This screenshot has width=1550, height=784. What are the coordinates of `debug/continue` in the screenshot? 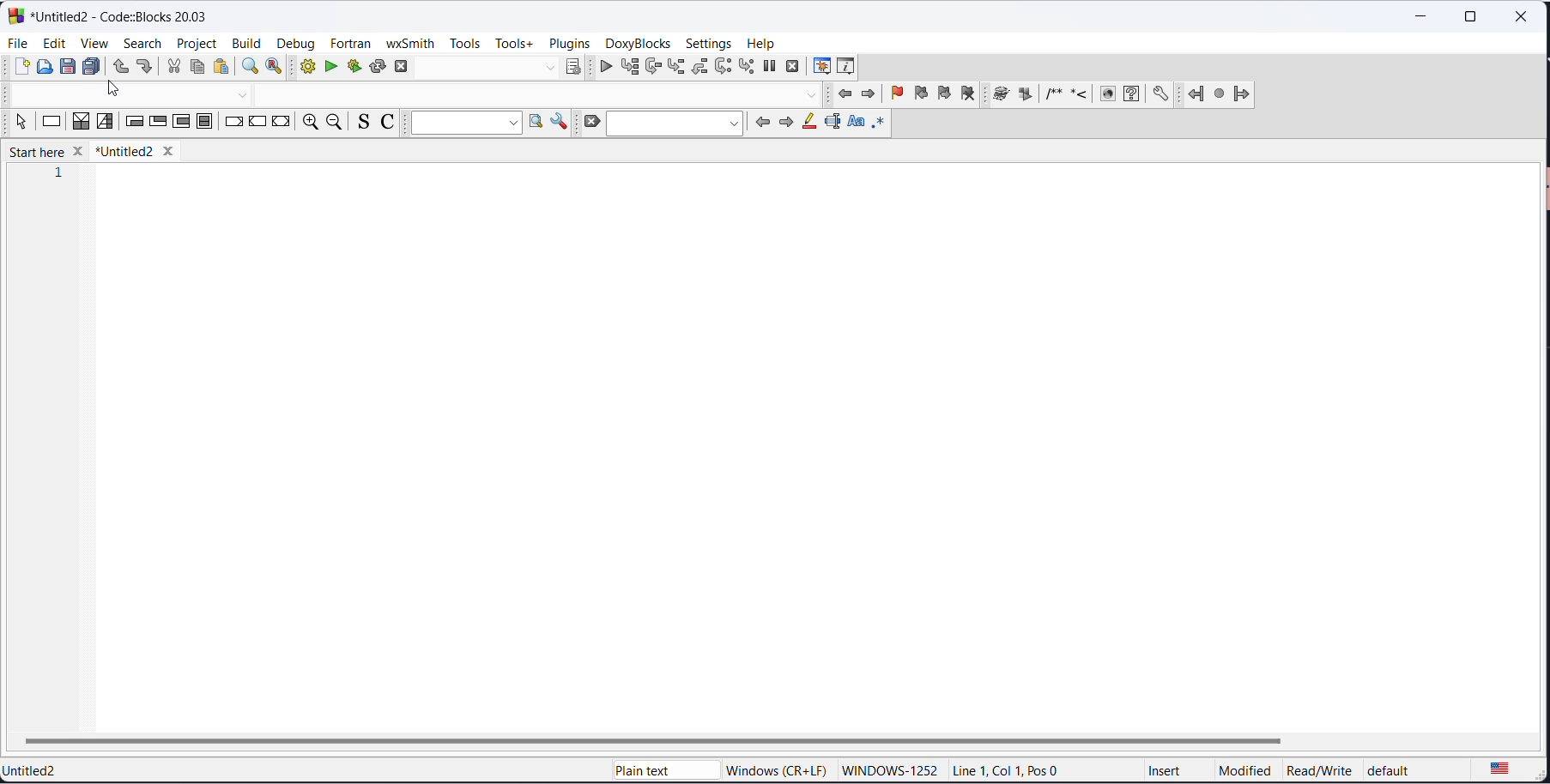 It's located at (605, 69).